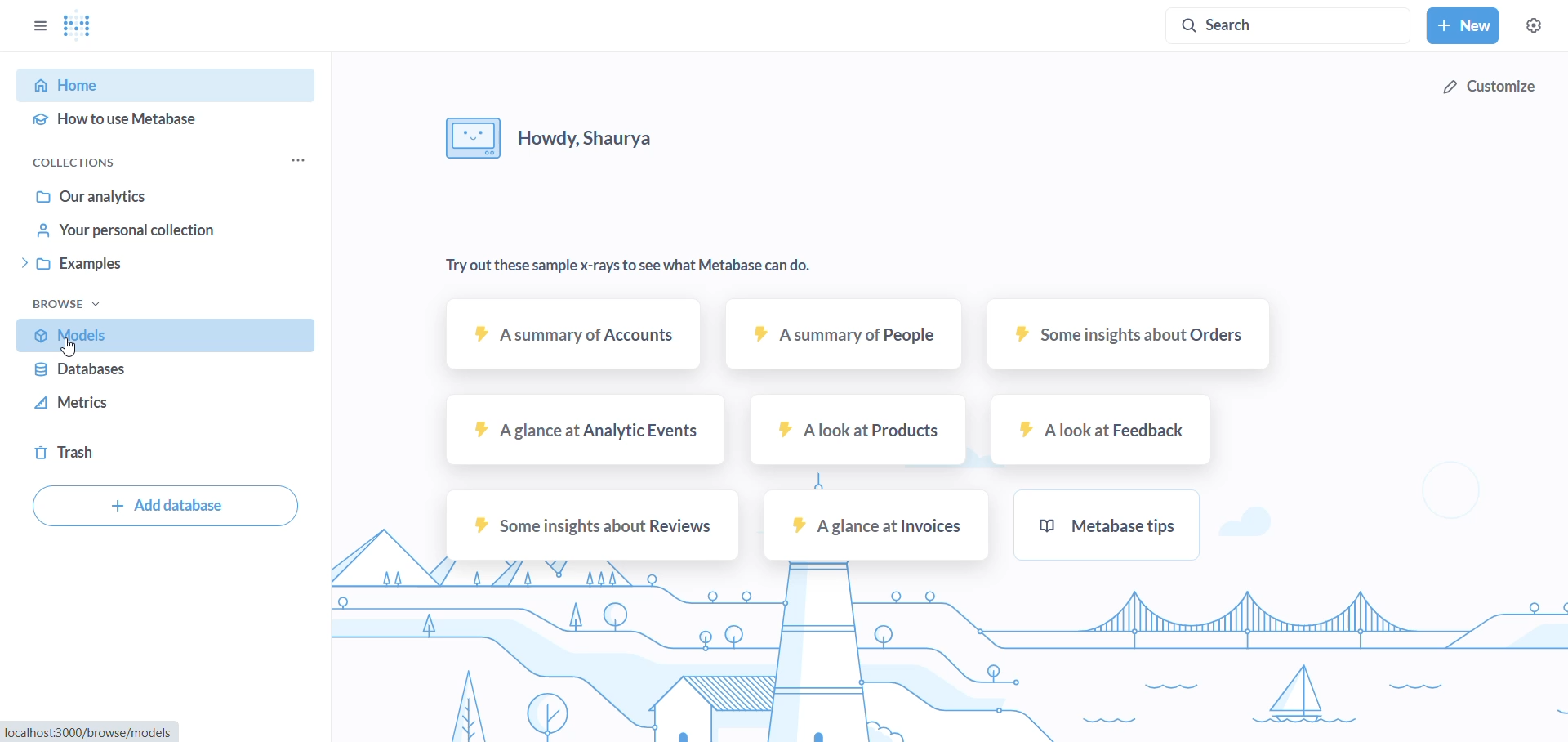 The width and height of the screenshot is (1568, 742). What do you see at coordinates (1462, 25) in the screenshot?
I see `new button` at bounding box center [1462, 25].